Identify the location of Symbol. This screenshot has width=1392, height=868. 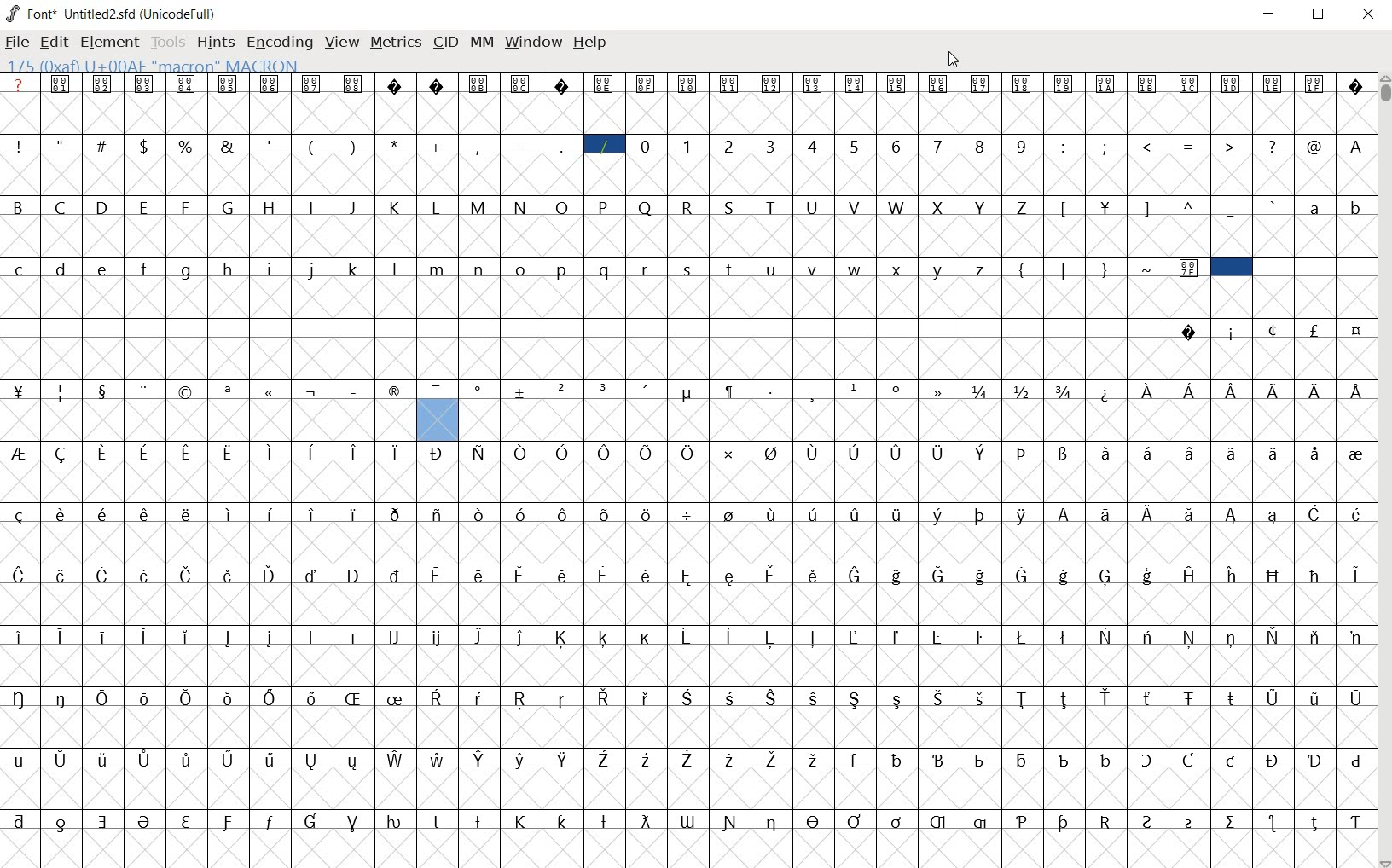
(1149, 820).